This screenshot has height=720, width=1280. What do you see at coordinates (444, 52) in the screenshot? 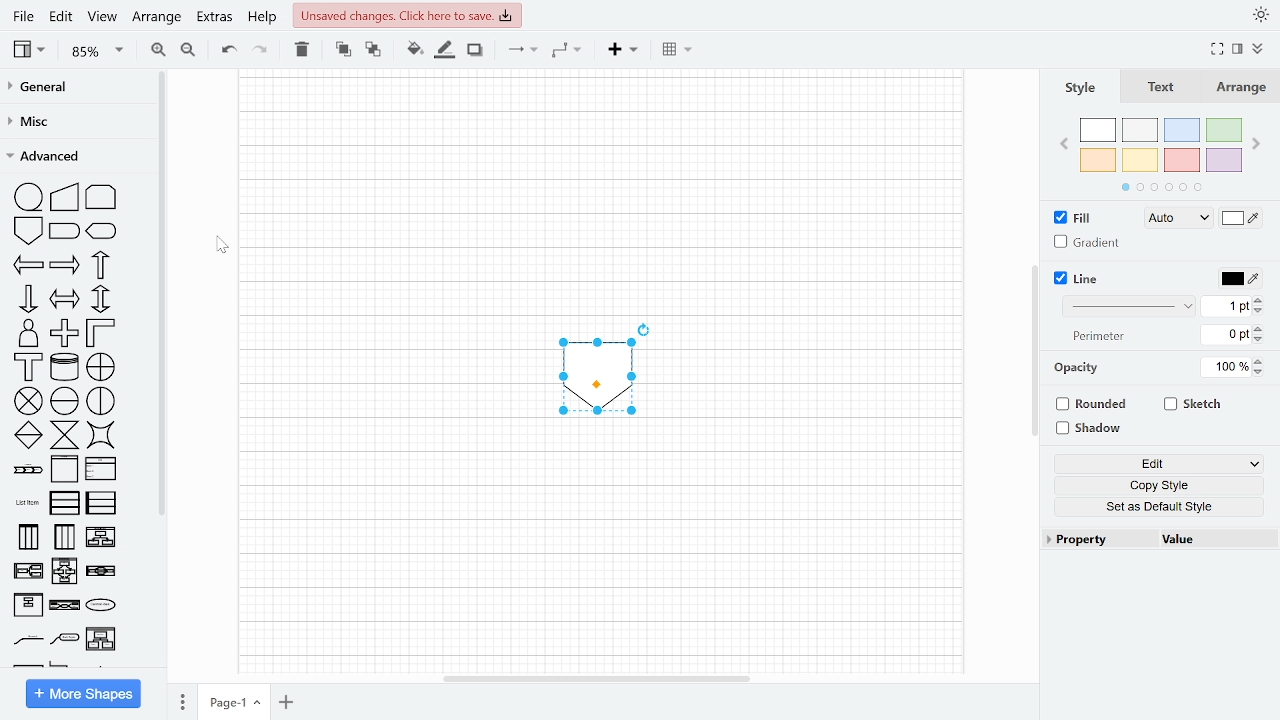
I see `Fill line` at bounding box center [444, 52].